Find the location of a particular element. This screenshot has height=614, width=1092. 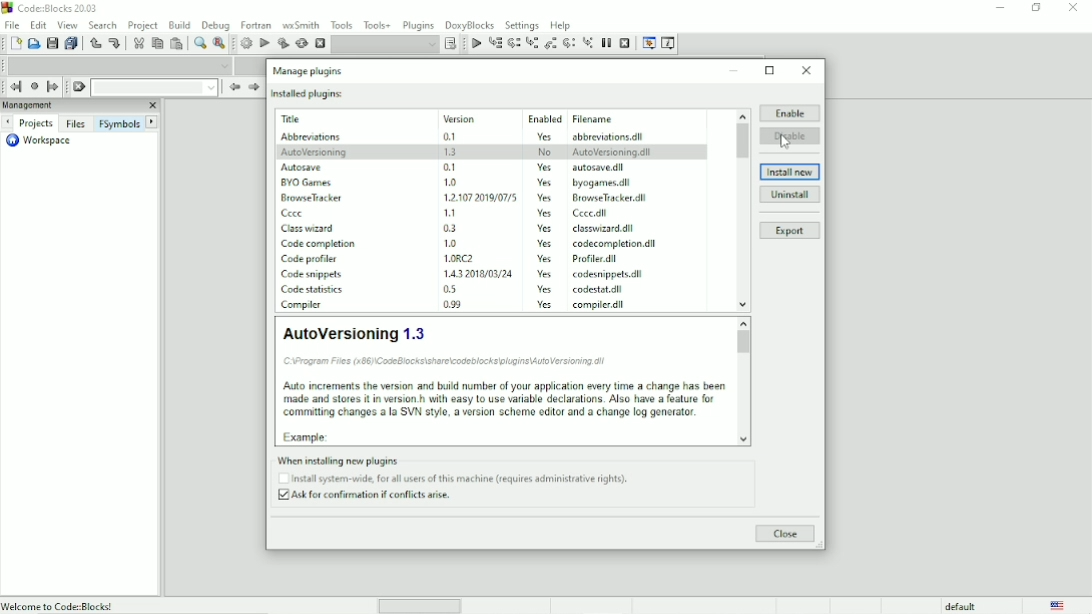

Stop debugger is located at coordinates (625, 43).